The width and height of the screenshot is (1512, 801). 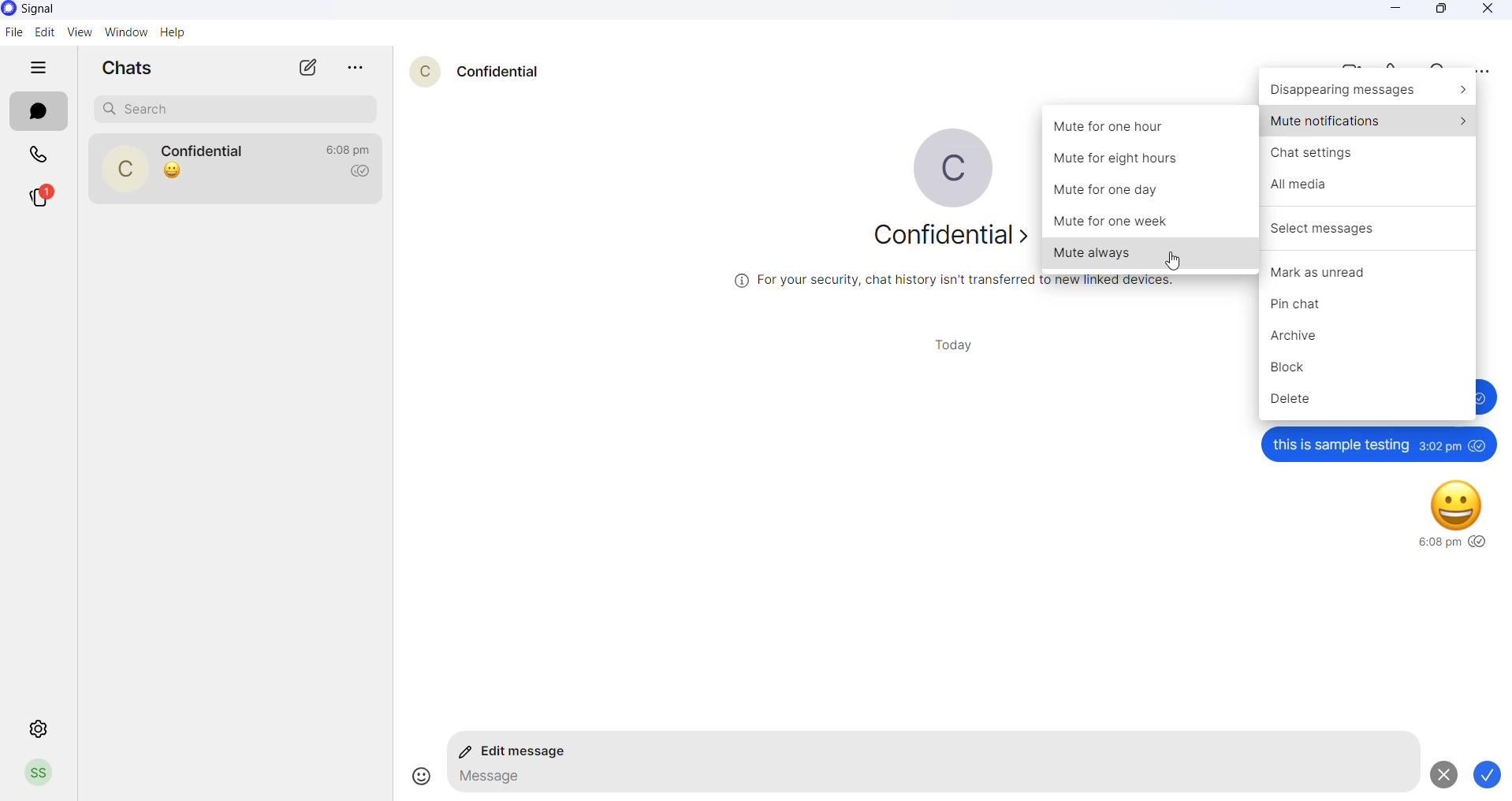 I want to click on profile picture, so click(x=39, y=774).